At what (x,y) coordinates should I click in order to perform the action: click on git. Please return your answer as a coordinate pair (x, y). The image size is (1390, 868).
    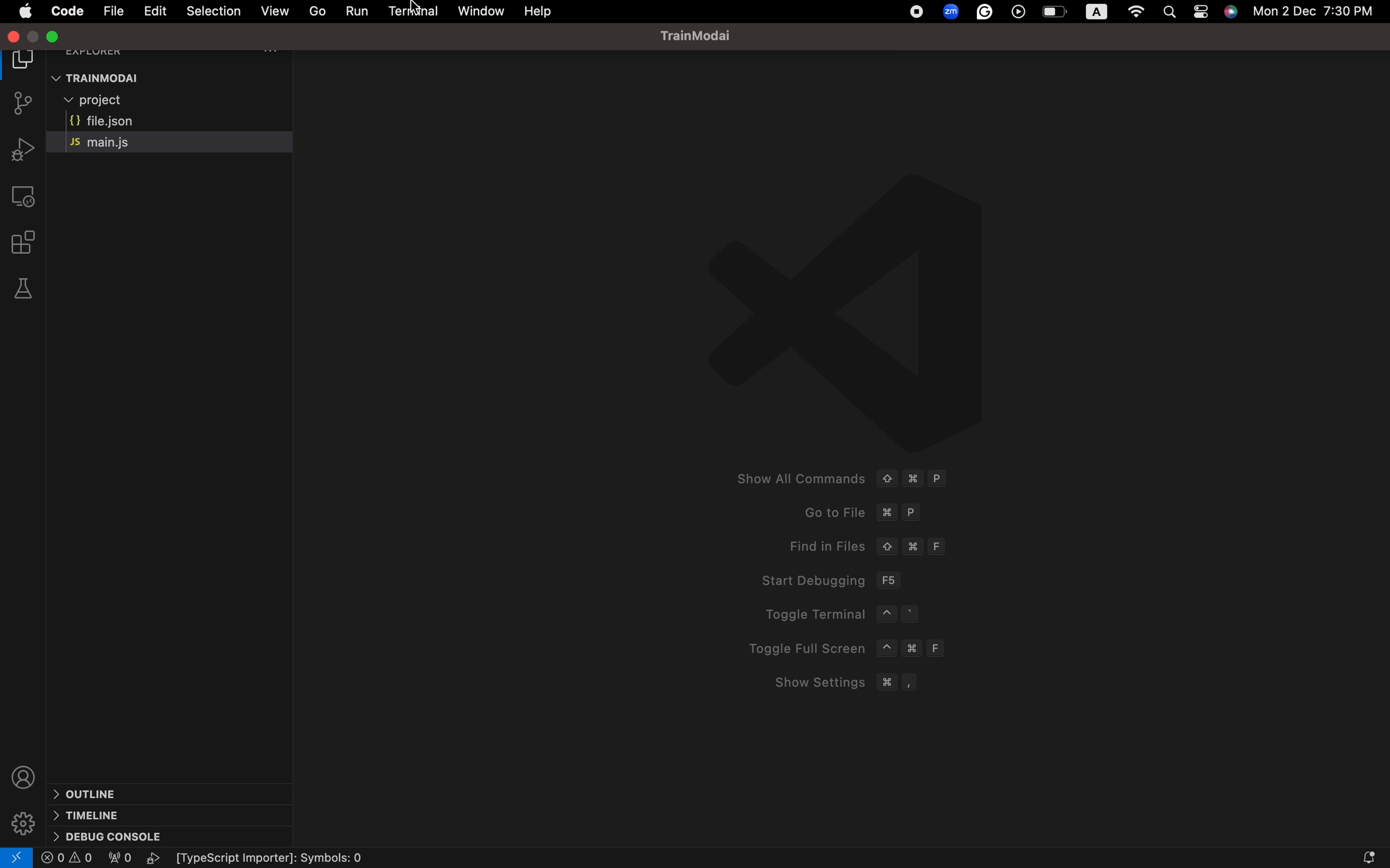
    Looking at the image, I should click on (25, 105).